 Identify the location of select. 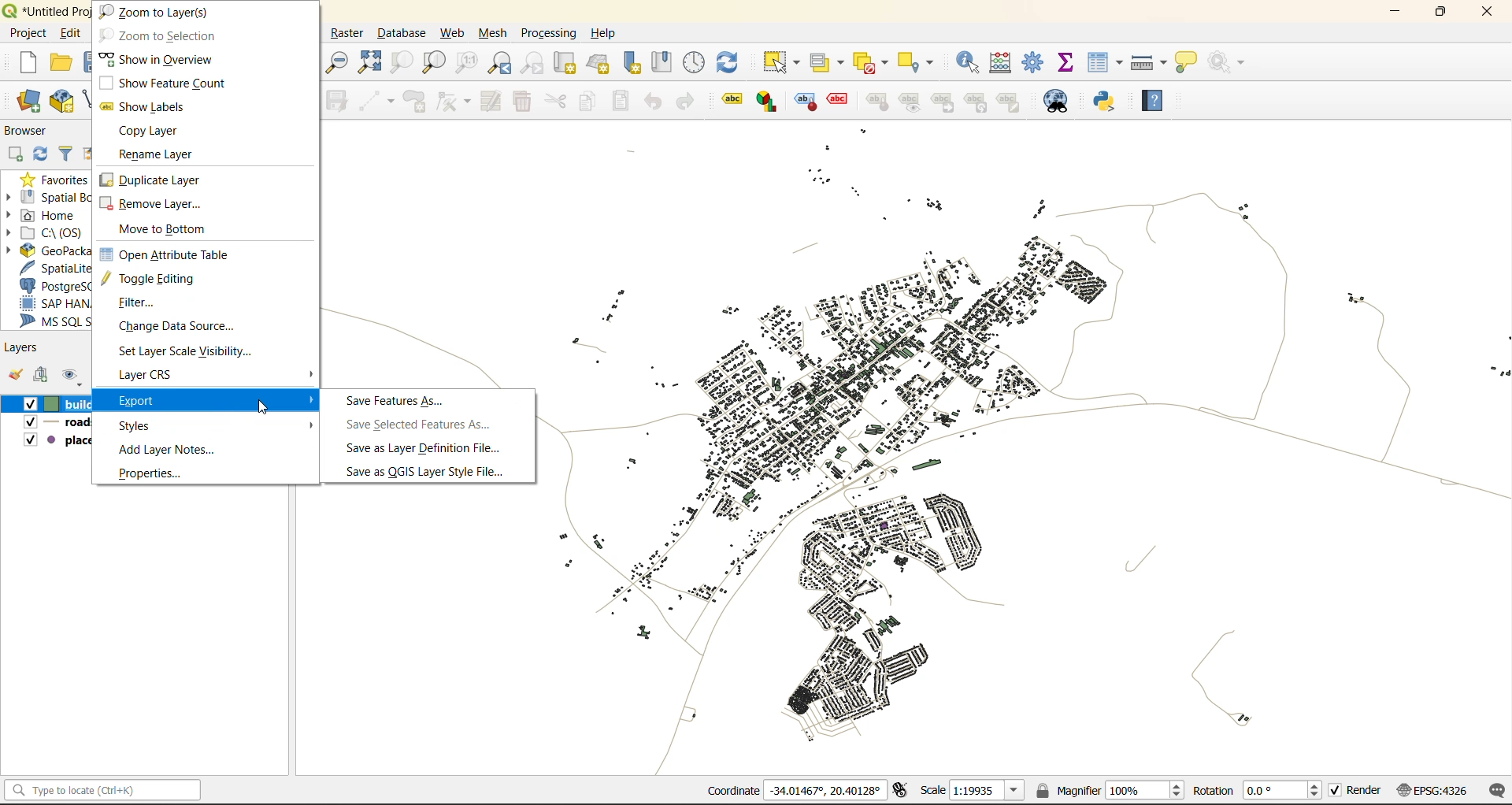
(779, 62).